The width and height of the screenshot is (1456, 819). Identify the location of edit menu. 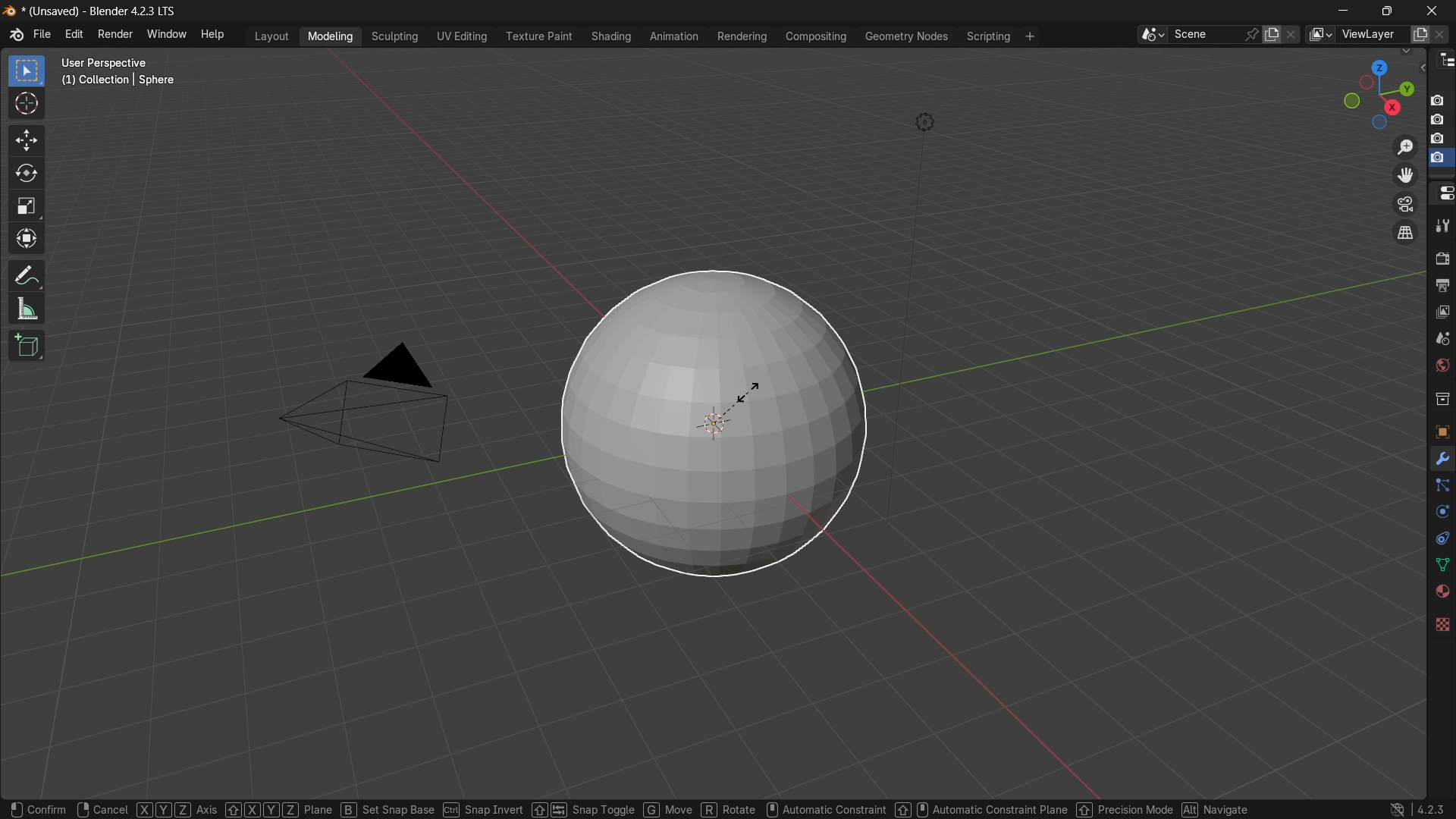
(71, 35).